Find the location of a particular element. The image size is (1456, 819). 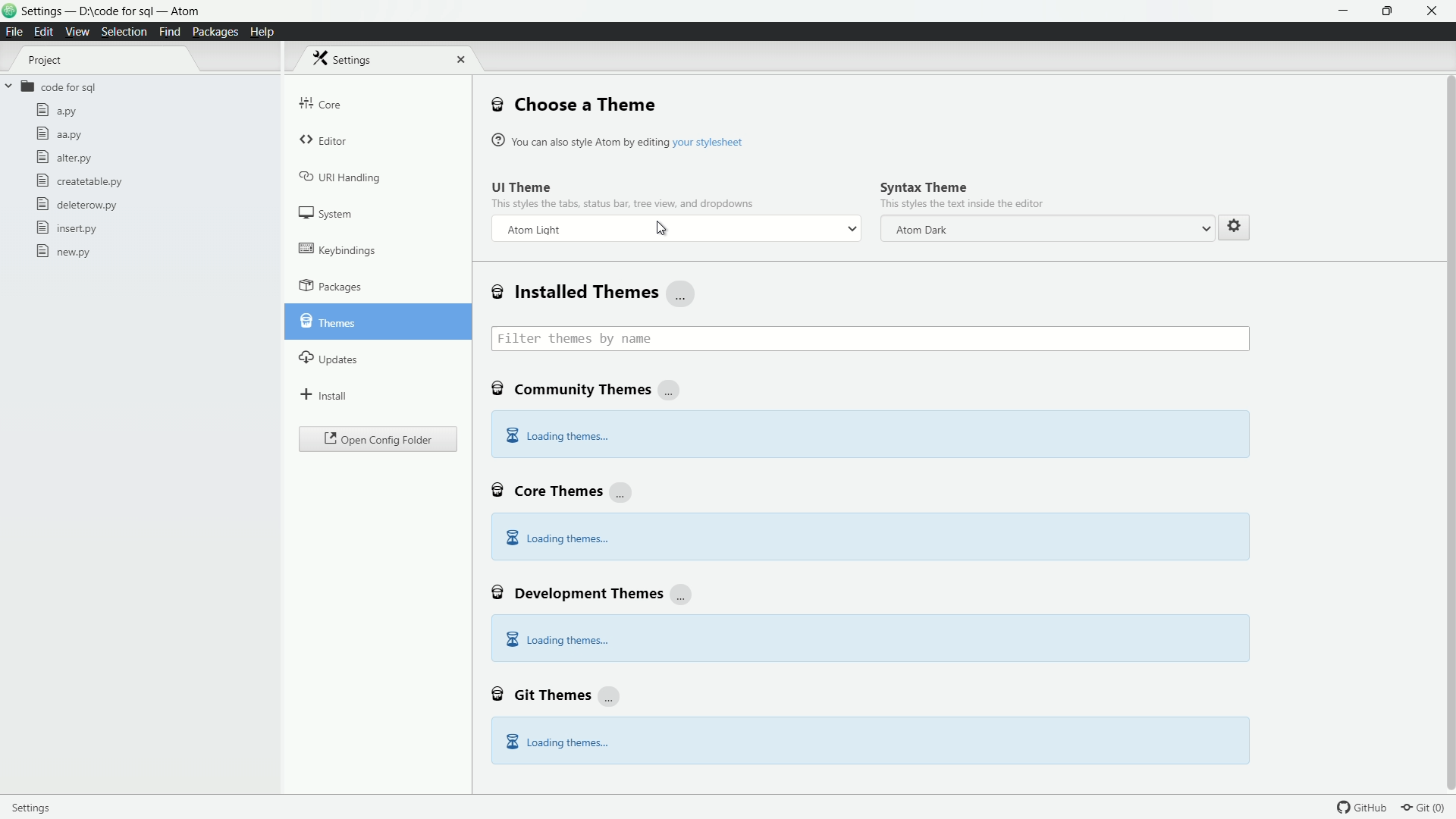

keybindings is located at coordinates (337, 249).